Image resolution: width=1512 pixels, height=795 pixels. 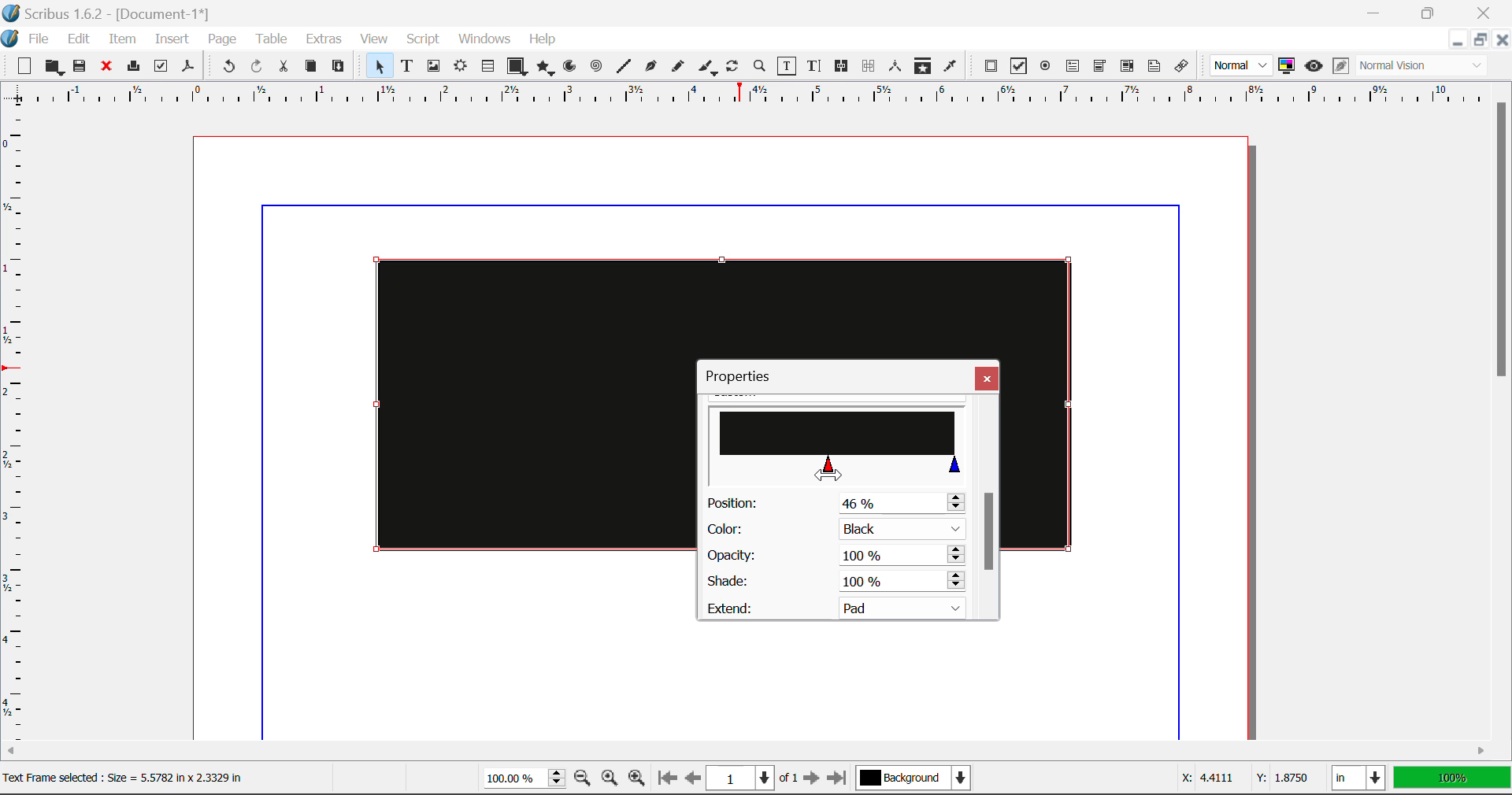 I want to click on Script, so click(x=424, y=39).